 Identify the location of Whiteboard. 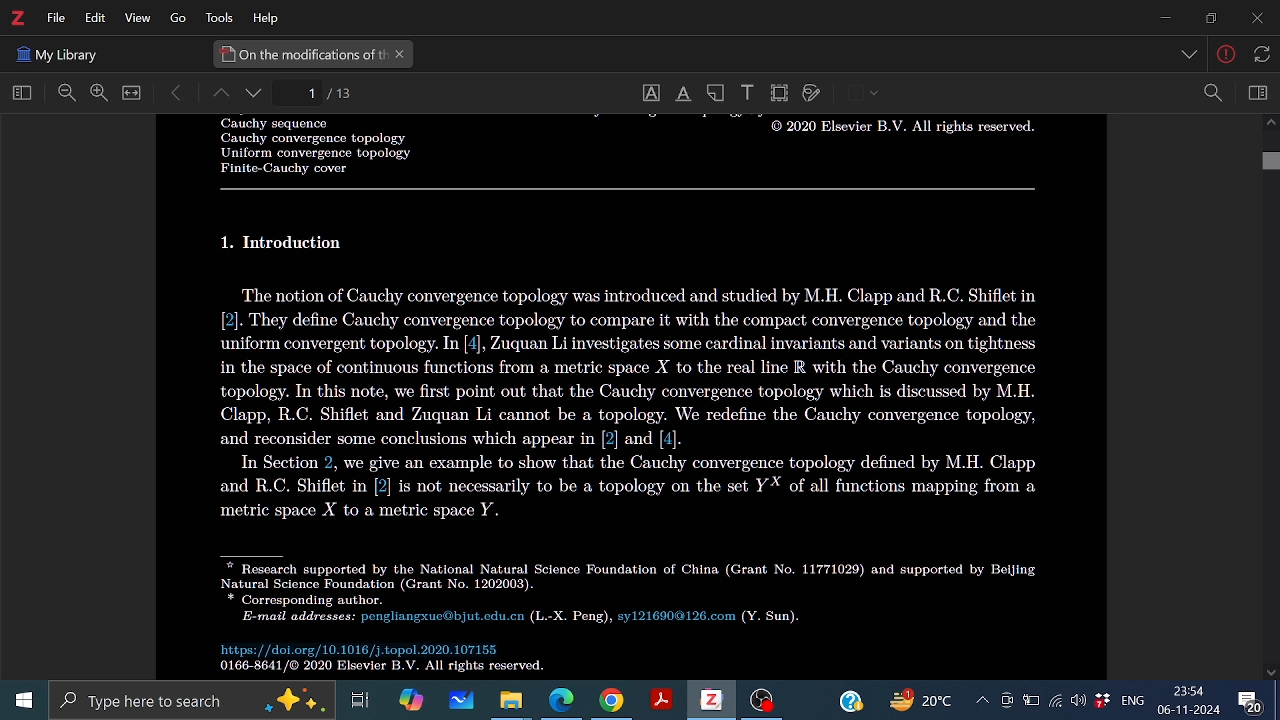
(459, 701).